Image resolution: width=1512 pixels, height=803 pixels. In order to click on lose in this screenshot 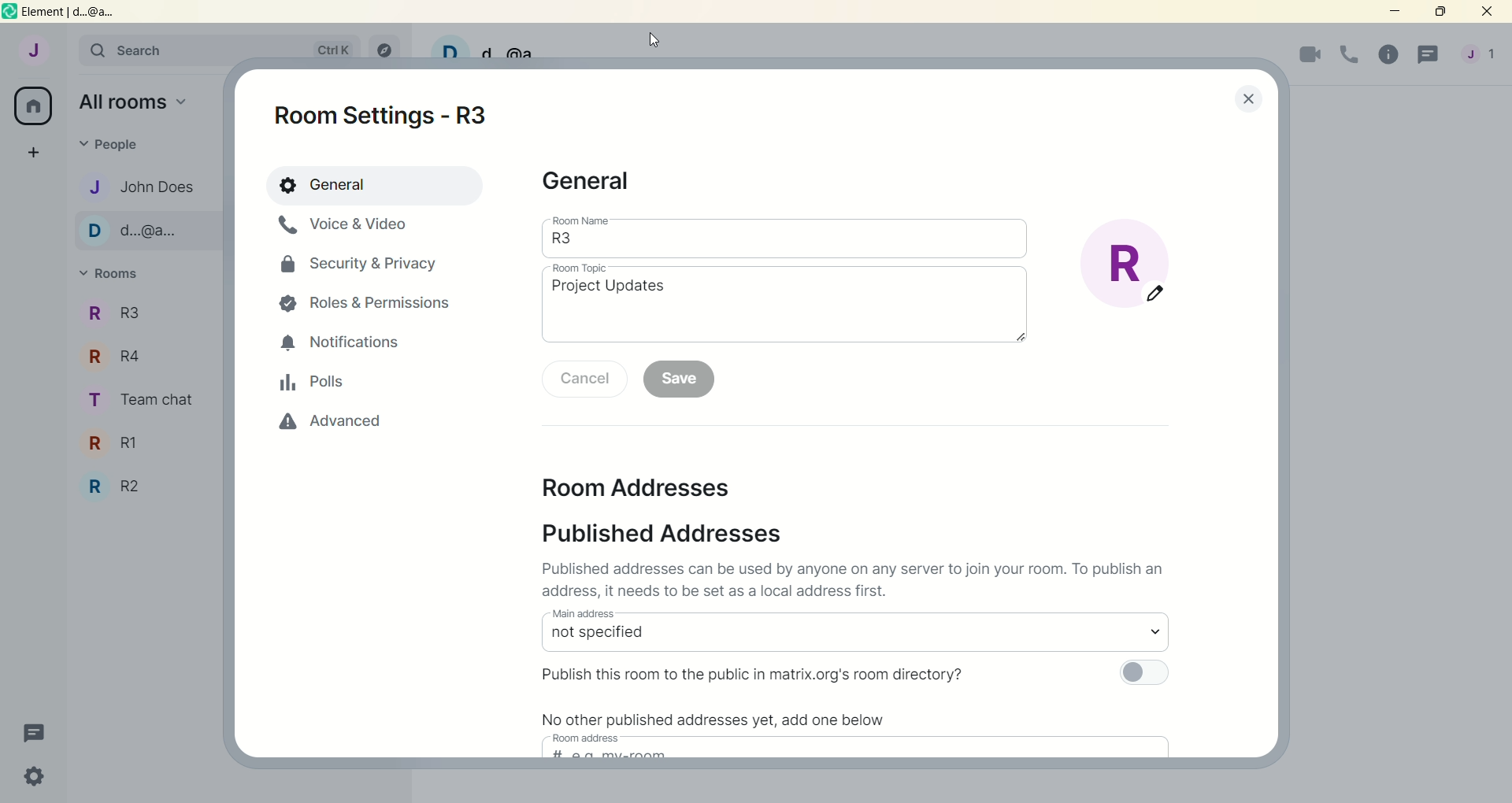, I will do `click(1253, 95)`.